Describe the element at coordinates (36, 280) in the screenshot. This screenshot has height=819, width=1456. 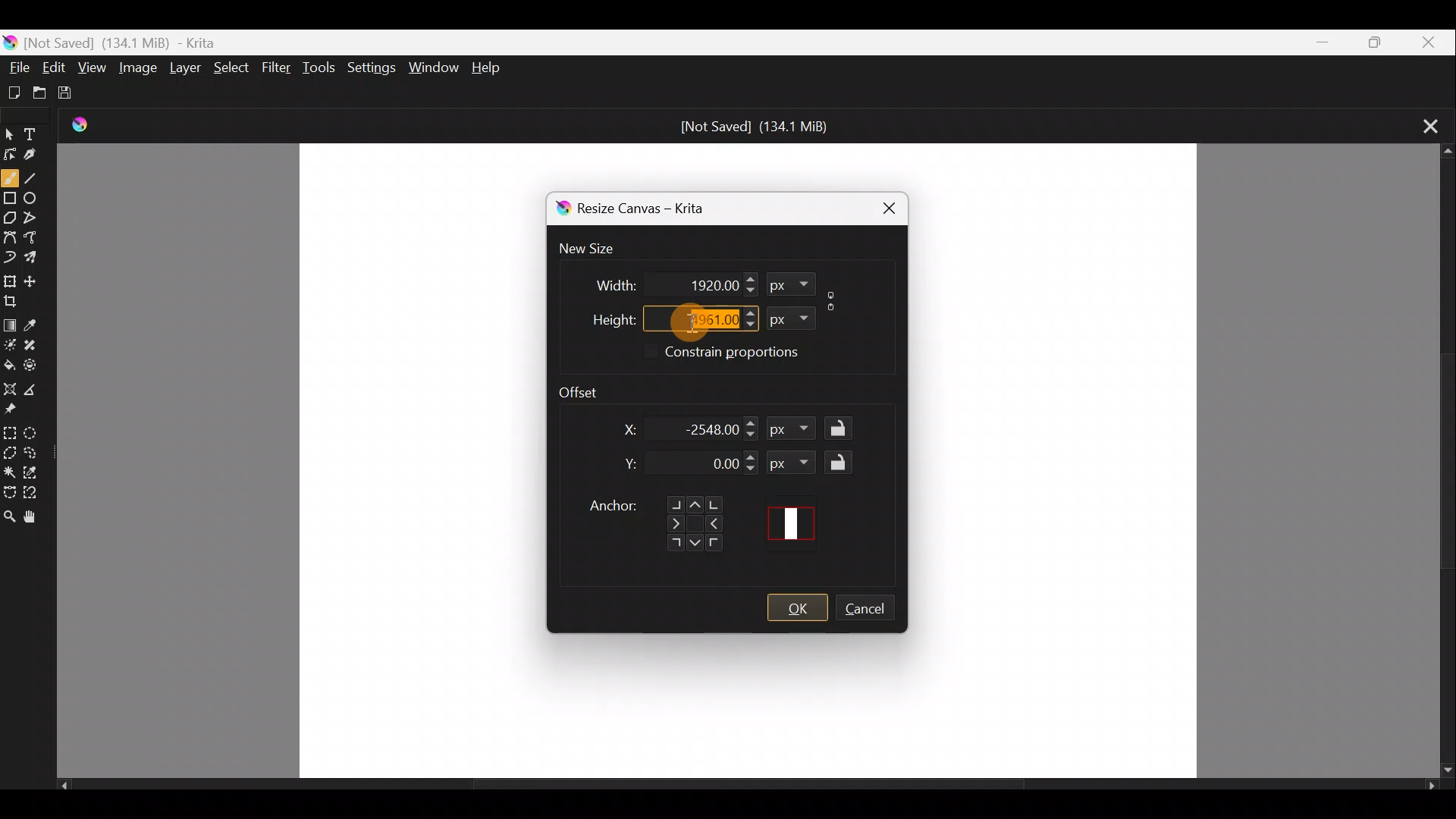
I see `Move a layer` at that location.